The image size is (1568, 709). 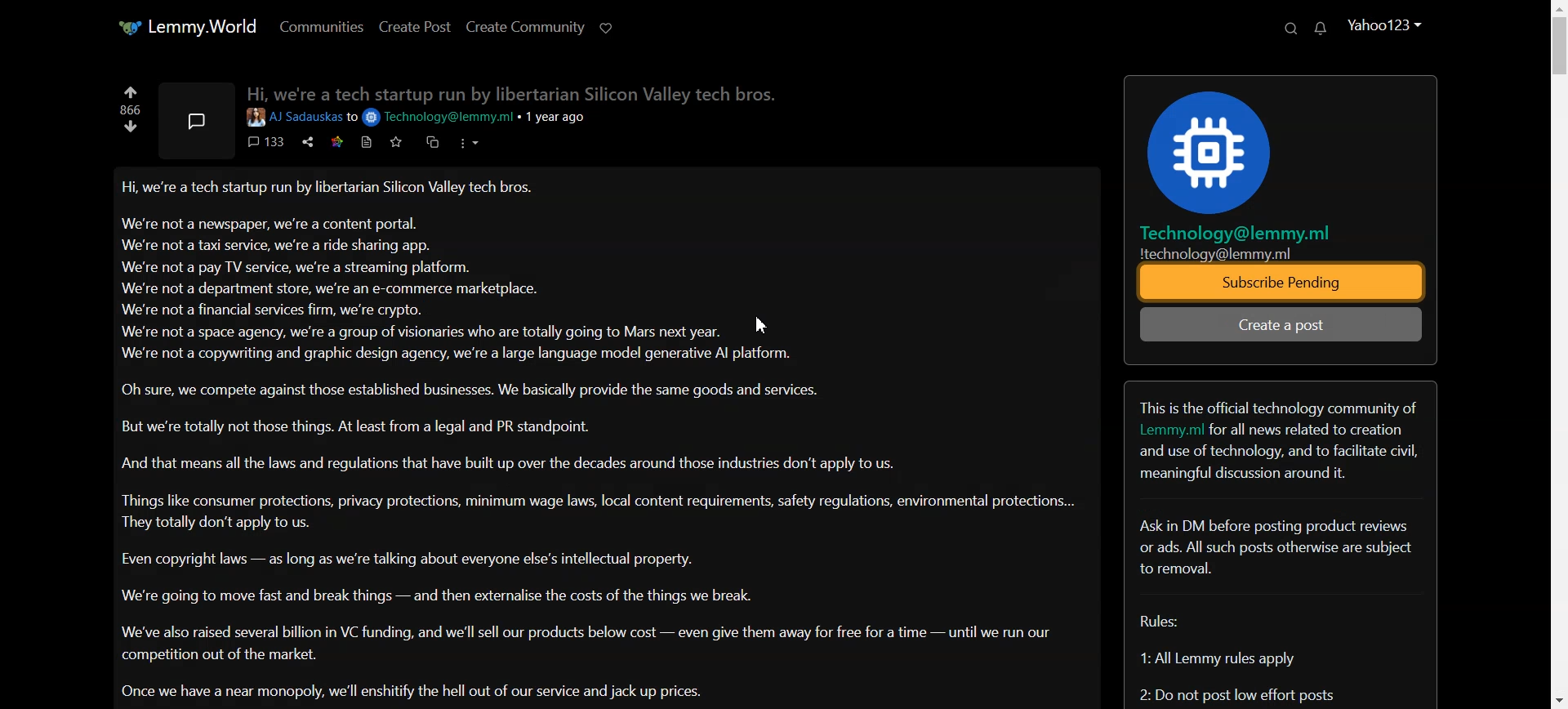 What do you see at coordinates (1558, 354) in the screenshot?
I see `Vertical scrollbar` at bounding box center [1558, 354].